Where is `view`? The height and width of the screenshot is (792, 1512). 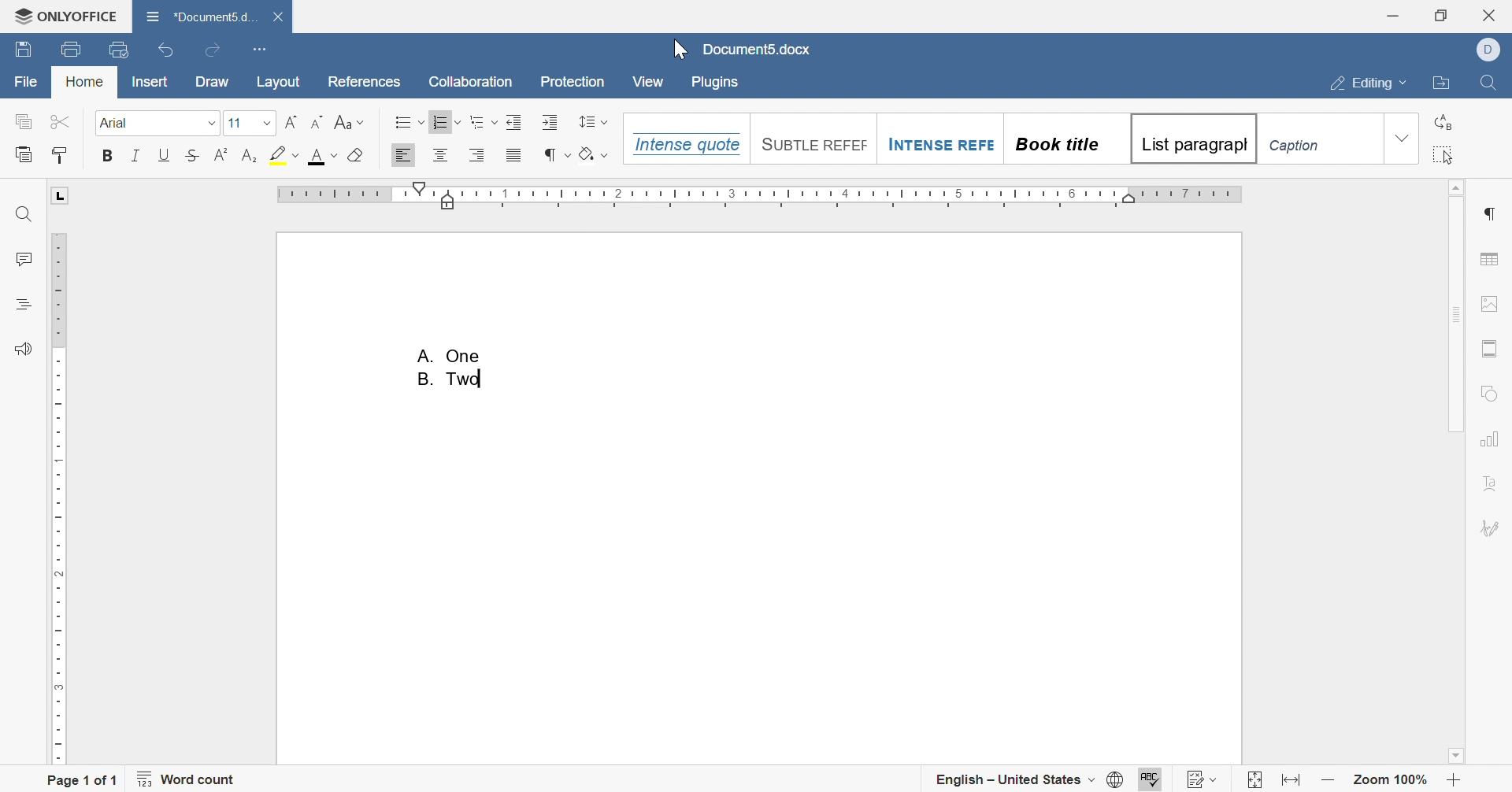 view is located at coordinates (650, 84).